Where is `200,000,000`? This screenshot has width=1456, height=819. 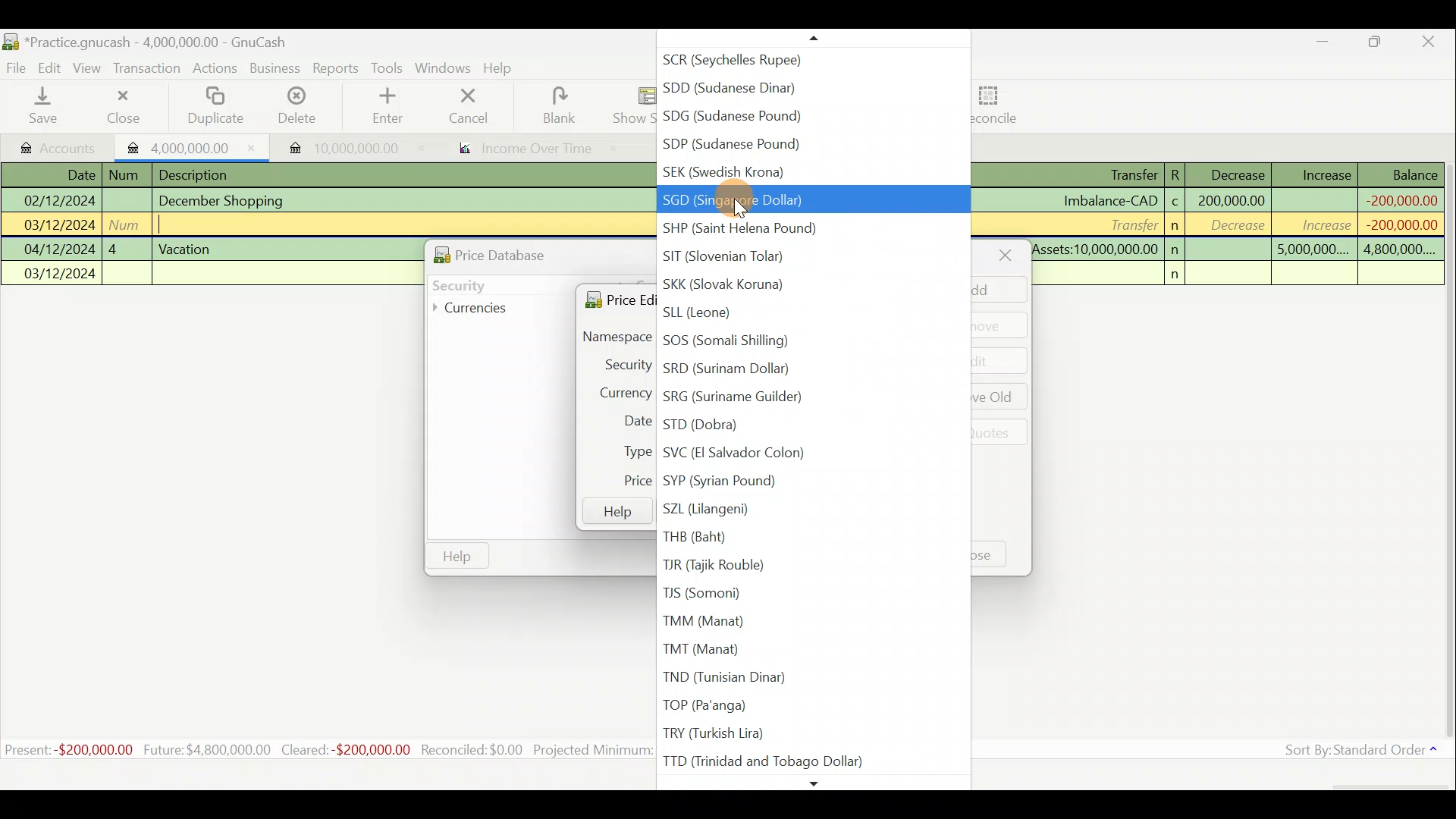 200,000,000 is located at coordinates (1230, 200).